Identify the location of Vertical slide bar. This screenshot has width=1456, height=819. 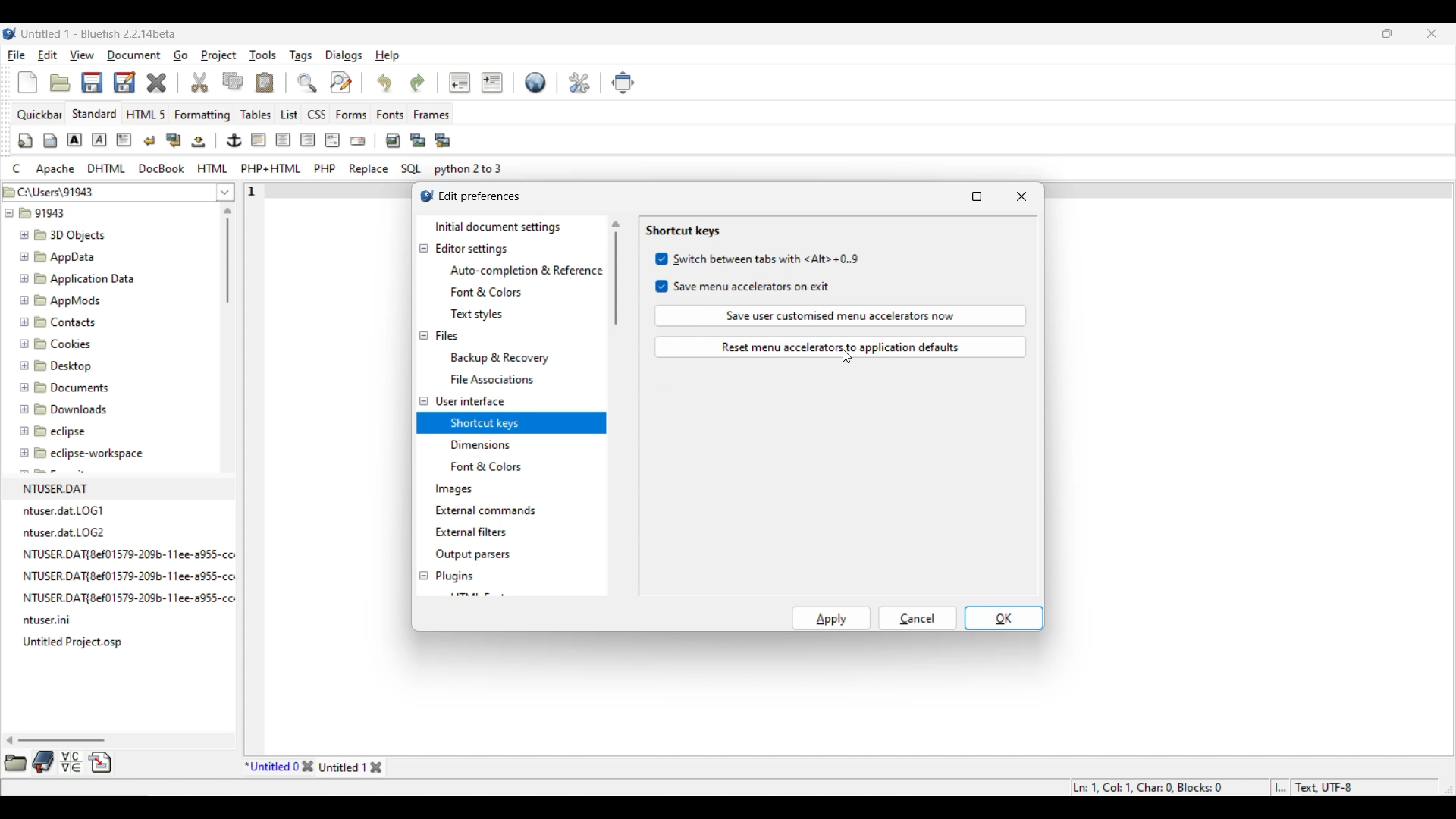
(227, 255).